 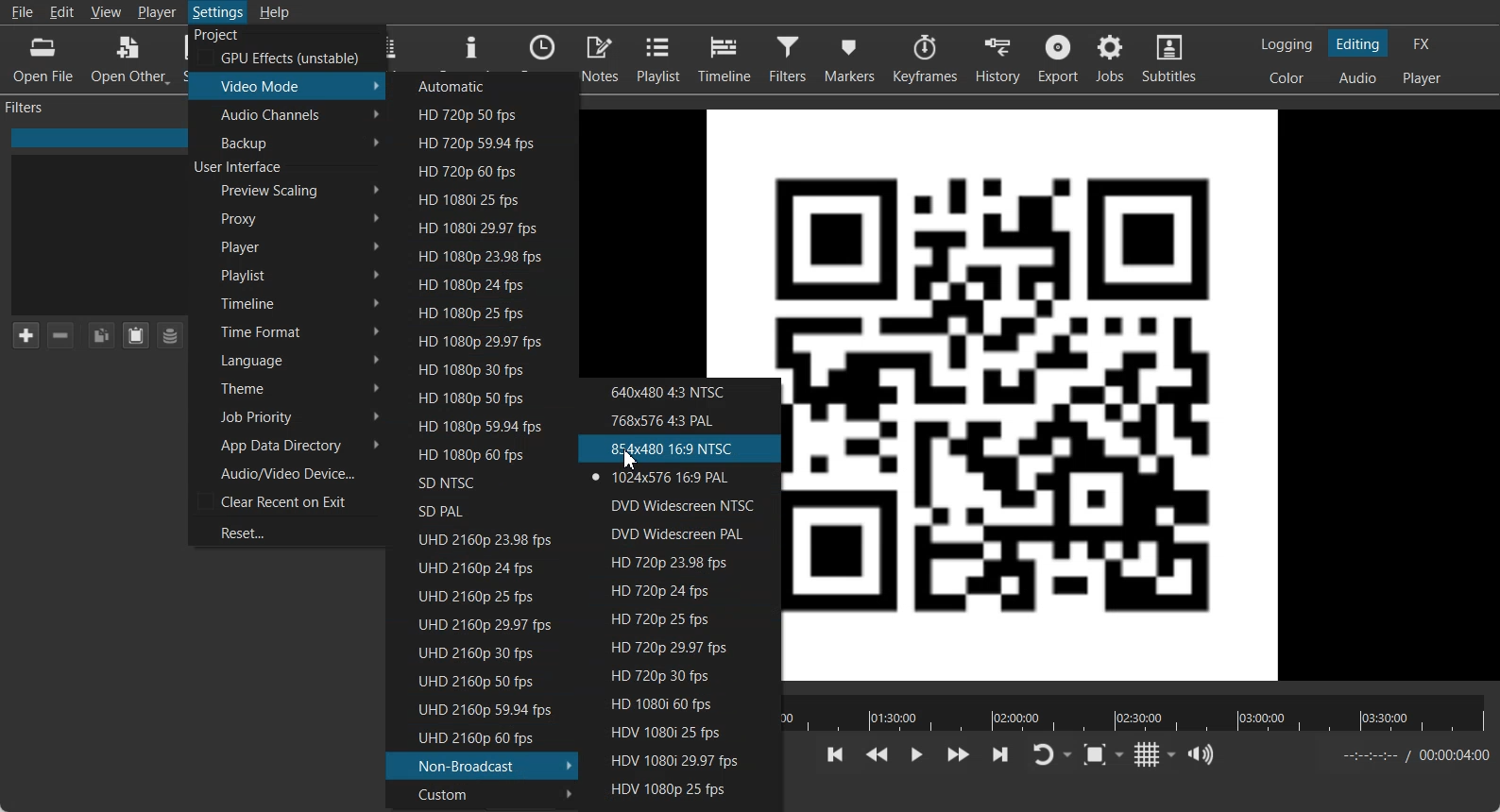 What do you see at coordinates (679, 788) in the screenshot?
I see `HDV 1080p 25 fps` at bounding box center [679, 788].